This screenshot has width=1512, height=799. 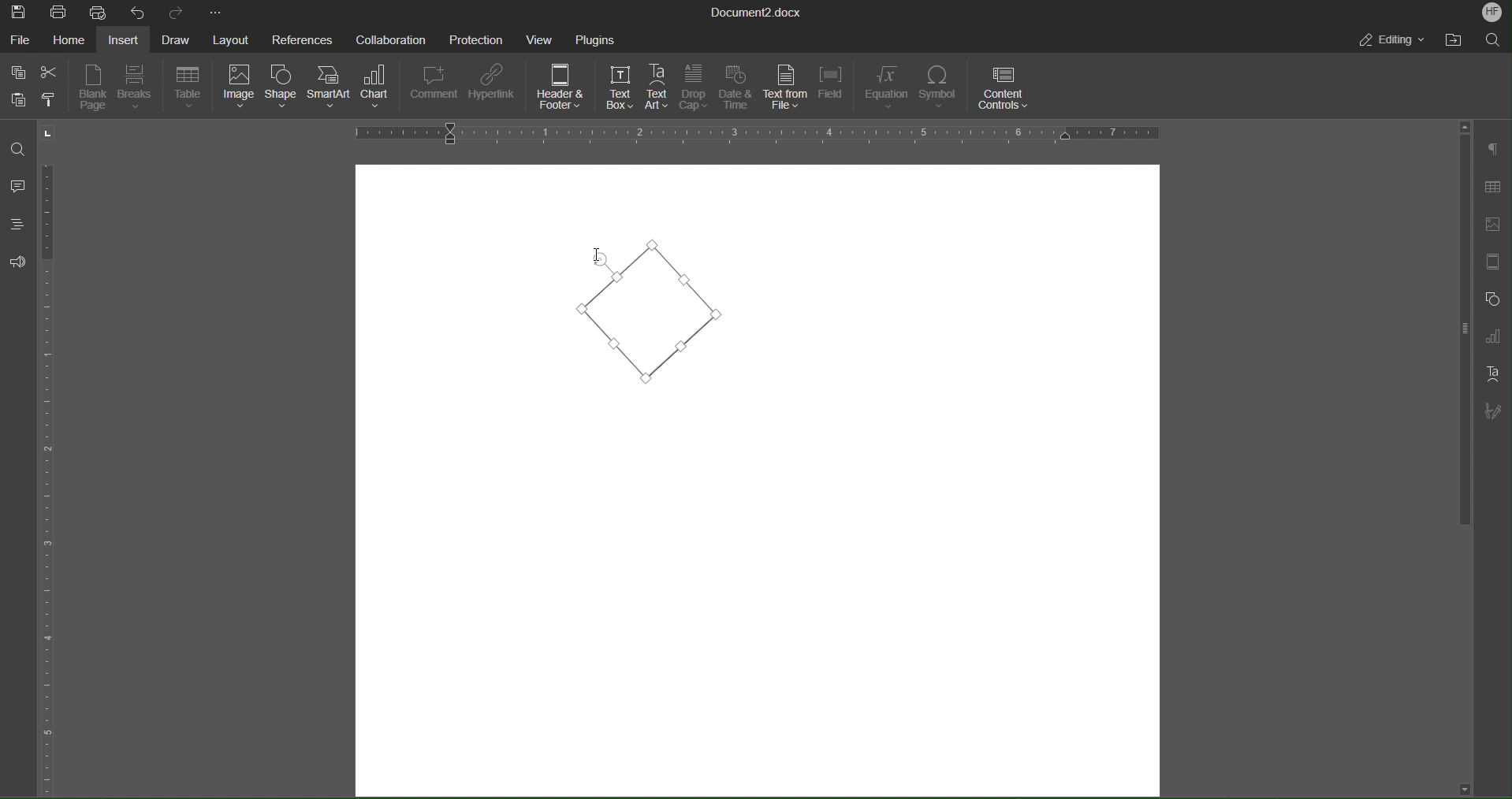 What do you see at coordinates (50, 69) in the screenshot?
I see `Cut` at bounding box center [50, 69].